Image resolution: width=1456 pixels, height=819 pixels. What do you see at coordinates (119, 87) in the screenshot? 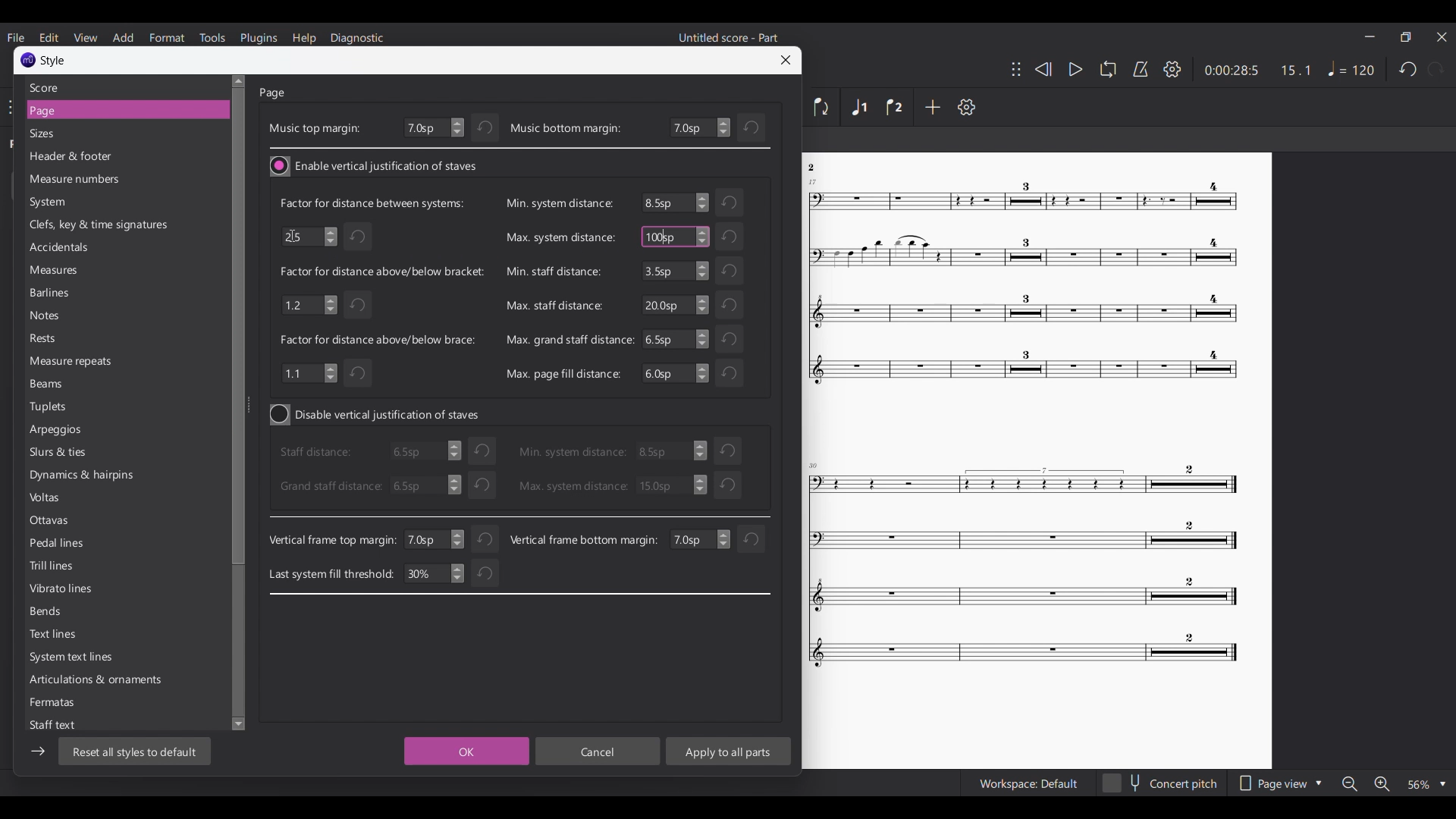
I see `Score` at bounding box center [119, 87].